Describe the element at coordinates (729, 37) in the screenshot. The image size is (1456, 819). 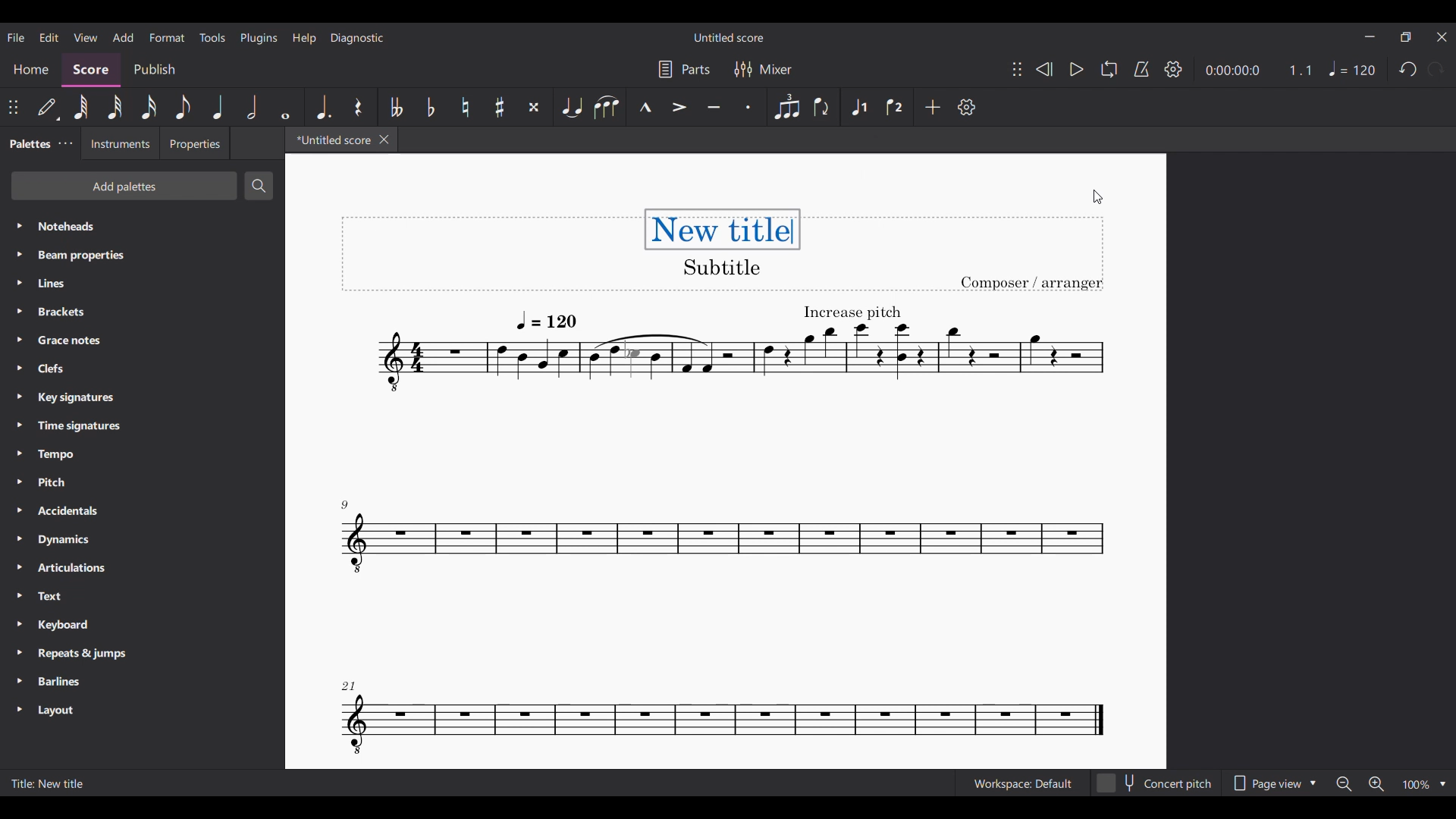
I see `Untitled score` at that location.